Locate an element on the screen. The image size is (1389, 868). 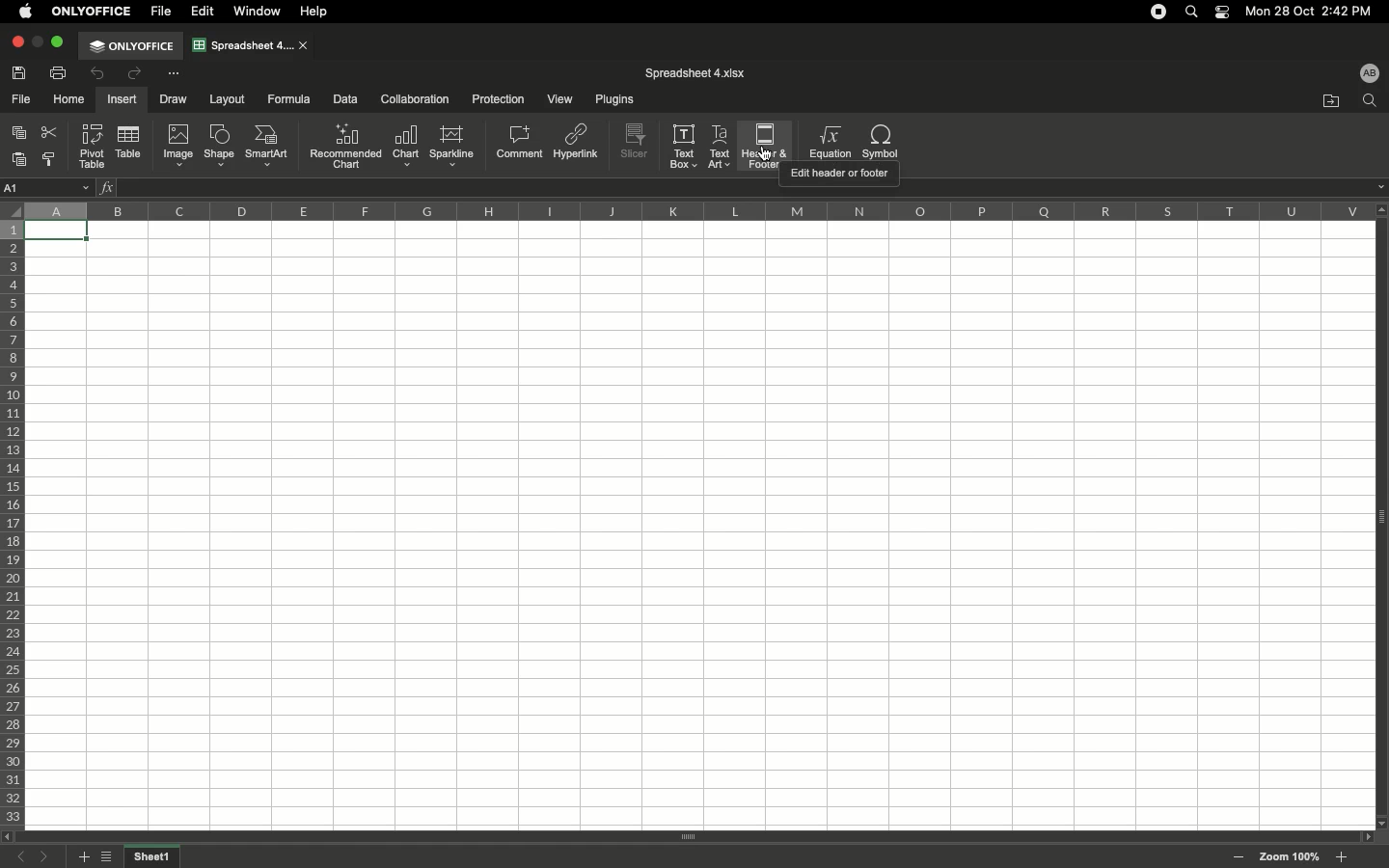
Insert function is located at coordinates (108, 187).